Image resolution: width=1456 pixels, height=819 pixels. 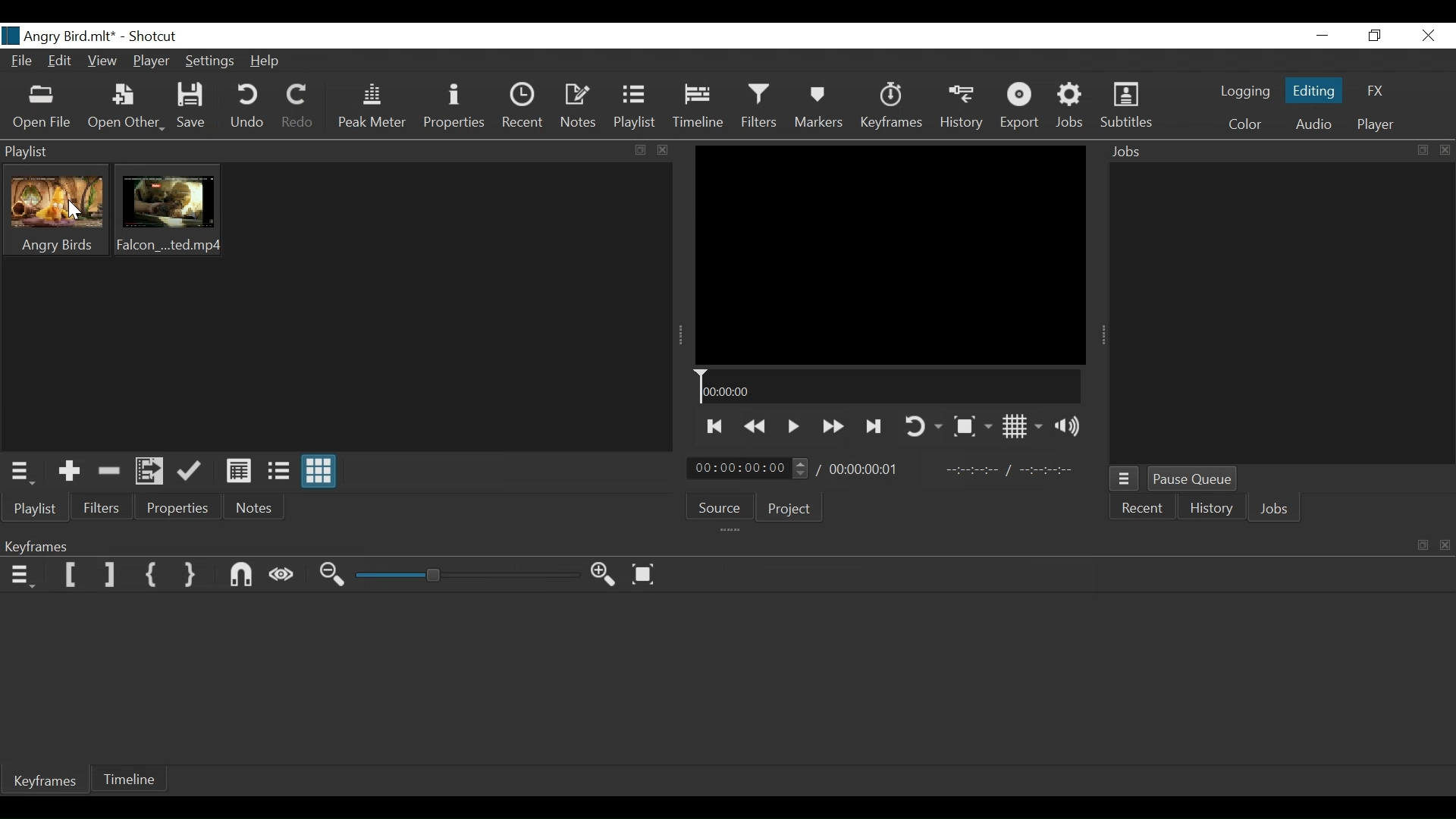 What do you see at coordinates (192, 106) in the screenshot?
I see `Save` at bounding box center [192, 106].